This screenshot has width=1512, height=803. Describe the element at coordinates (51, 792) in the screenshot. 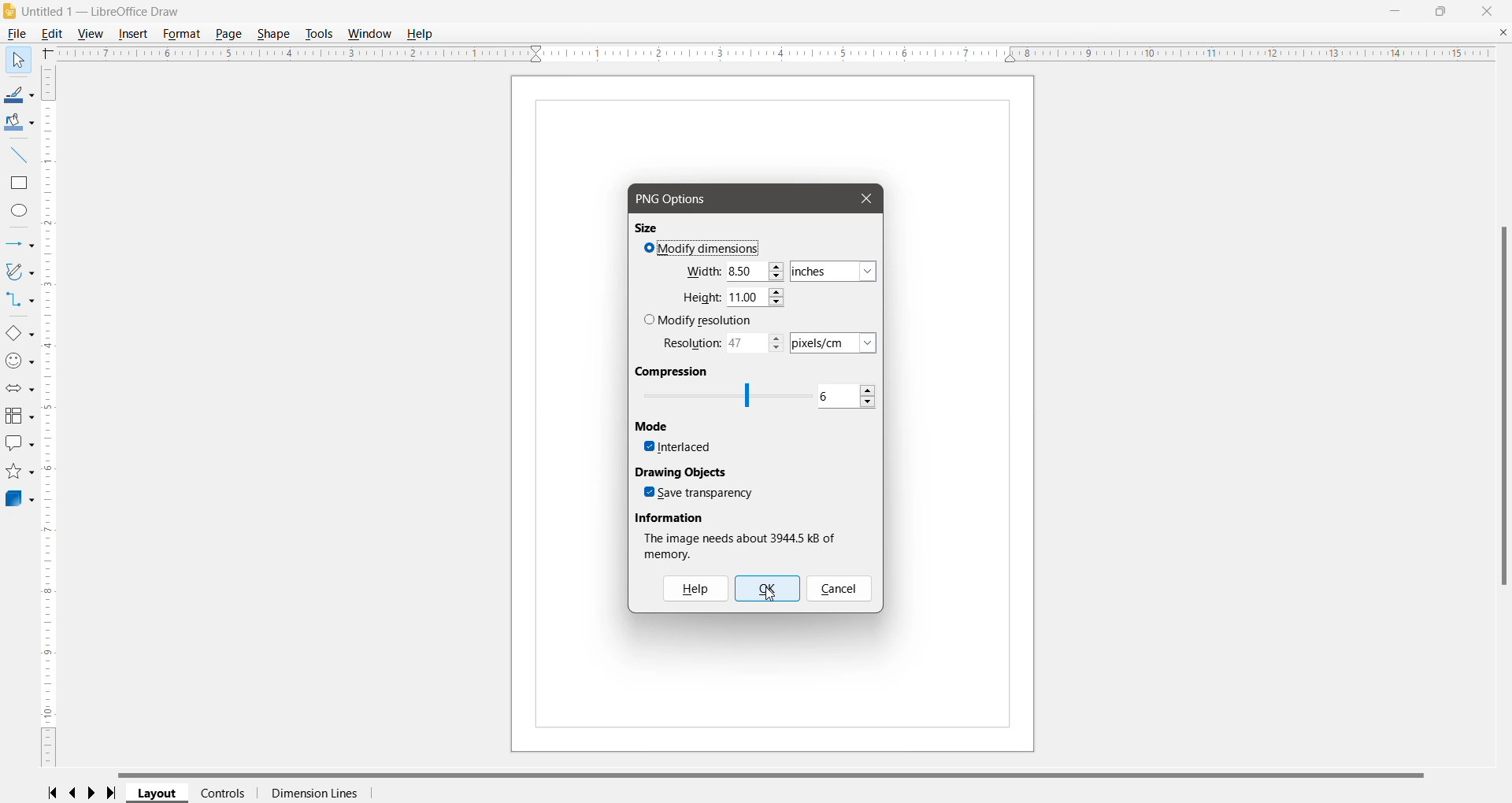

I see `Scroll to first page` at that location.